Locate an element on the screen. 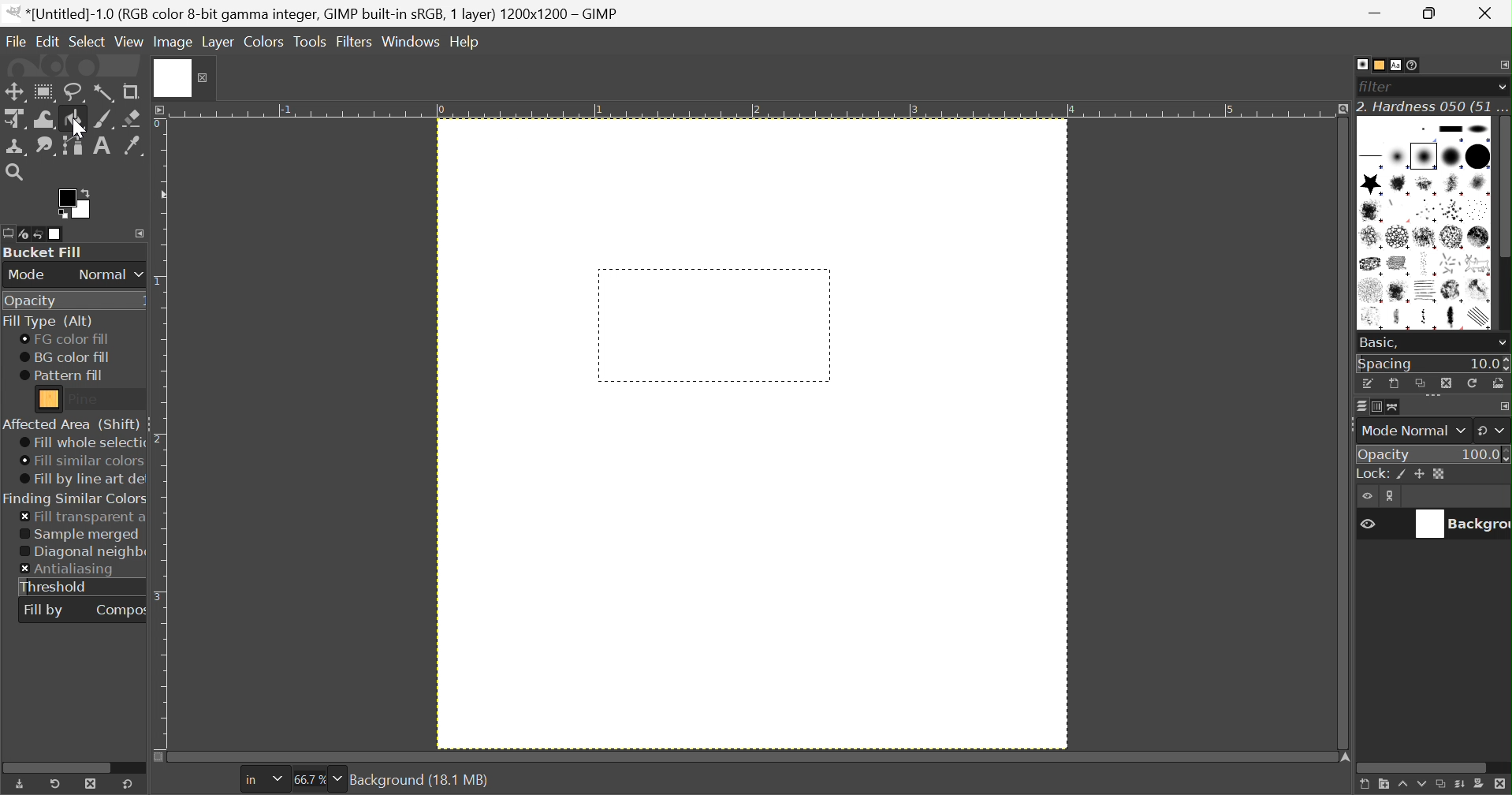 The width and height of the screenshot is (1512, 795). Charcoal is located at coordinates (1398, 264).